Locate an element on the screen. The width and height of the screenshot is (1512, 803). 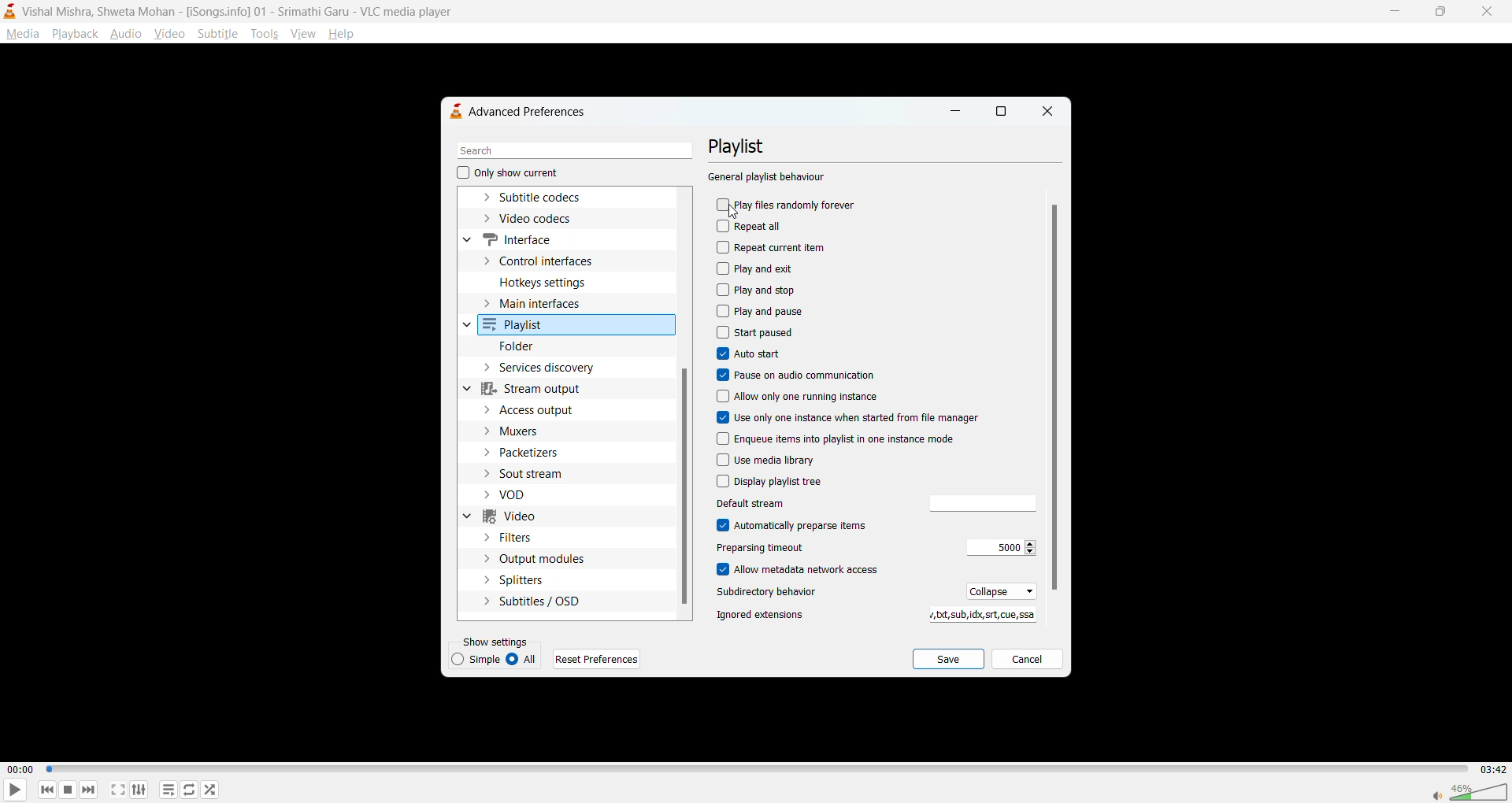
playlist is located at coordinates (746, 146).